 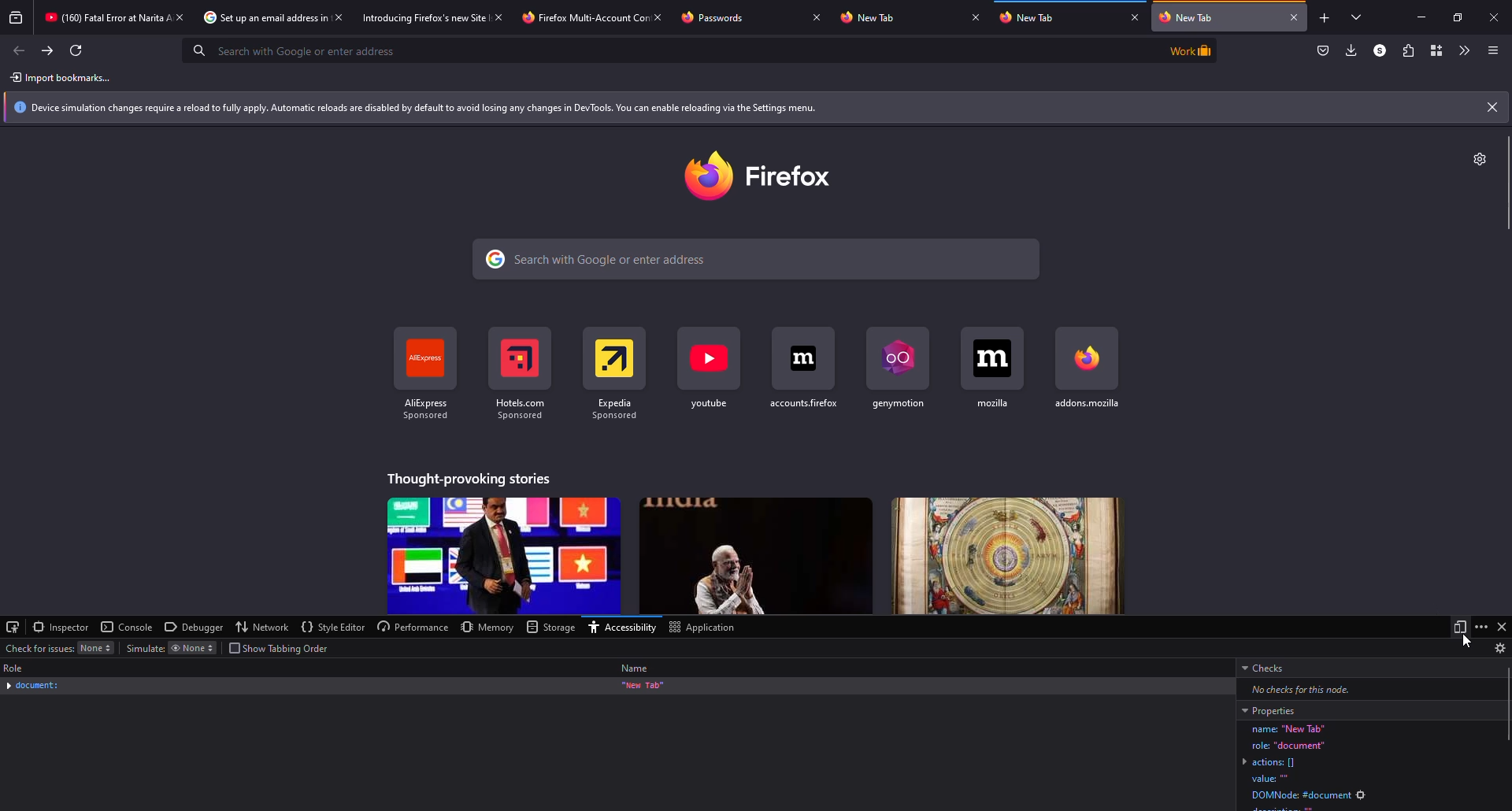 I want to click on mobile view, so click(x=1460, y=627).